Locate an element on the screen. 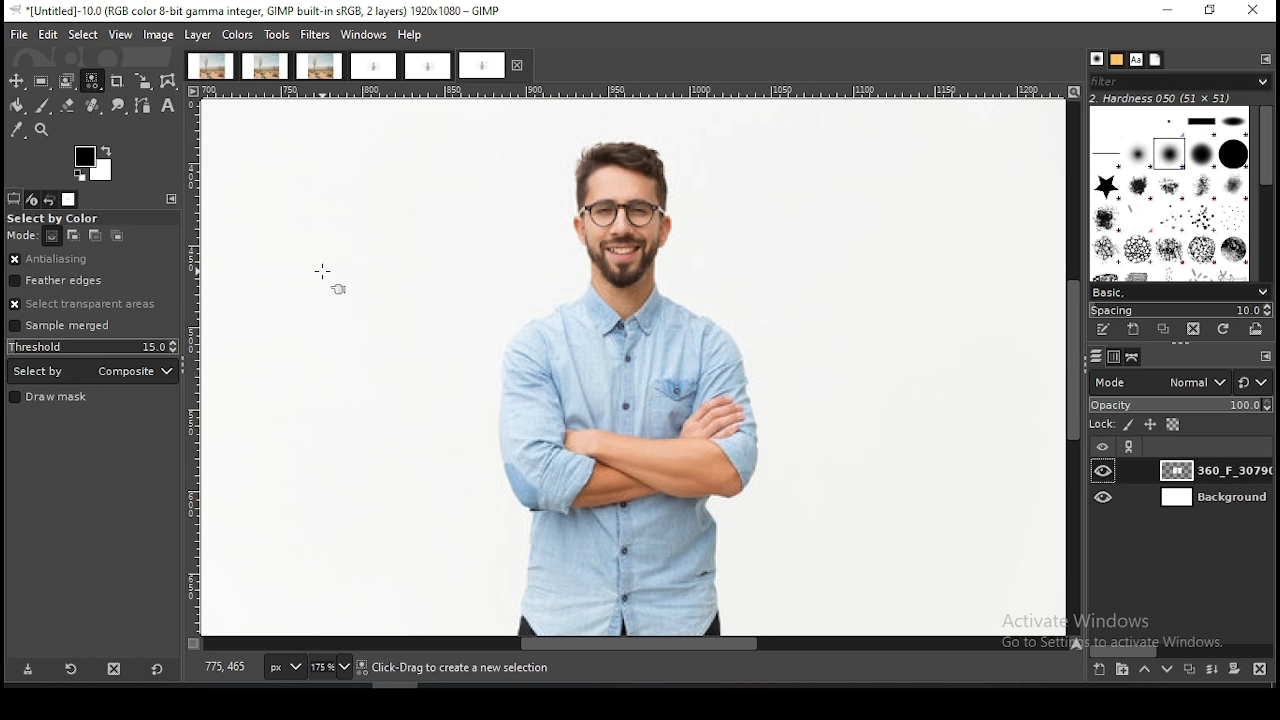  lock pixels is located at coordinates (1129, 426).